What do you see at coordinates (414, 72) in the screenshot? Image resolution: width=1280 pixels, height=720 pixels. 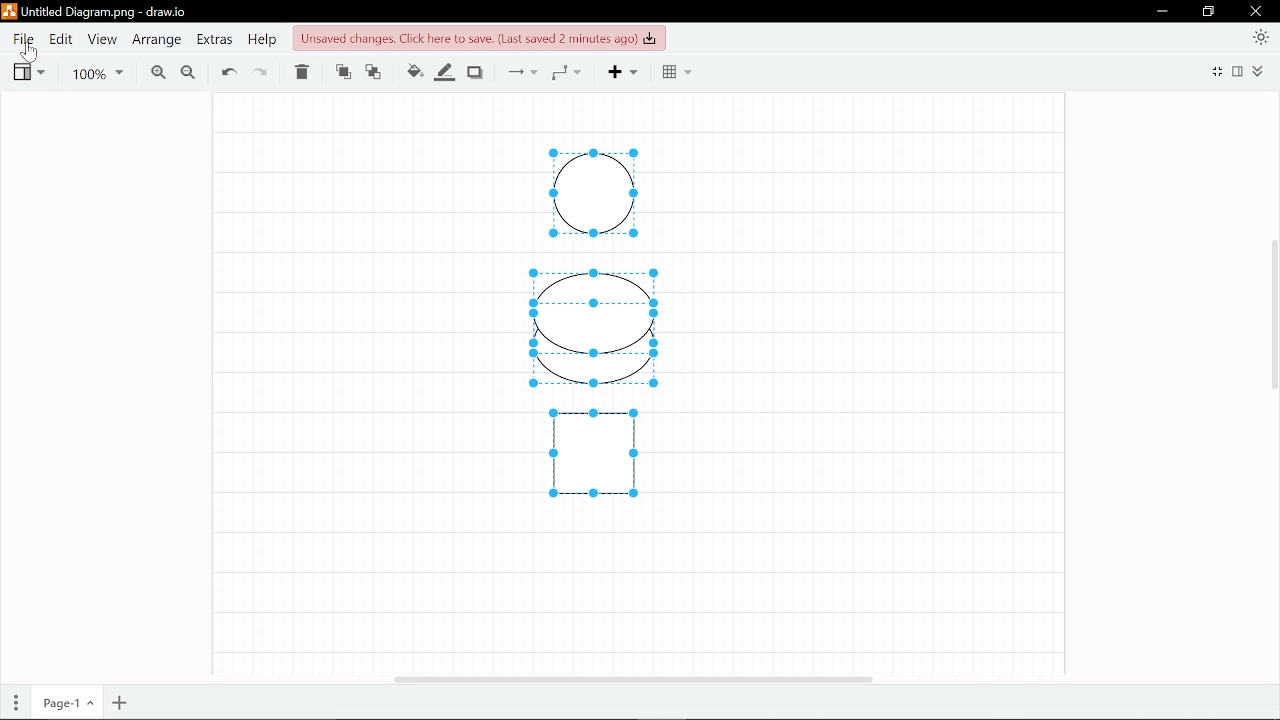 I see `Fill colour` at bounding box center [414, 72].